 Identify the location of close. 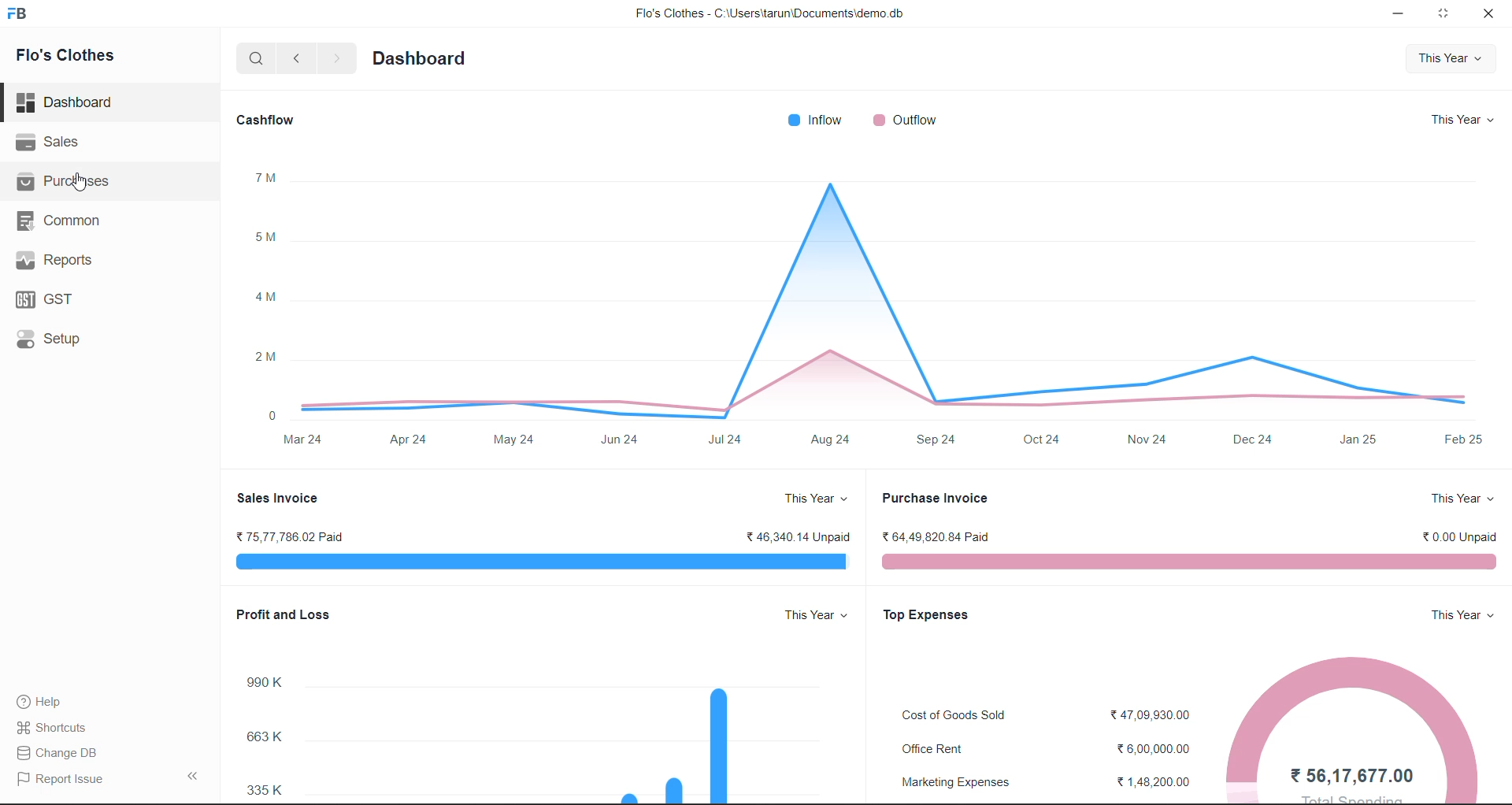
(1488, 17).